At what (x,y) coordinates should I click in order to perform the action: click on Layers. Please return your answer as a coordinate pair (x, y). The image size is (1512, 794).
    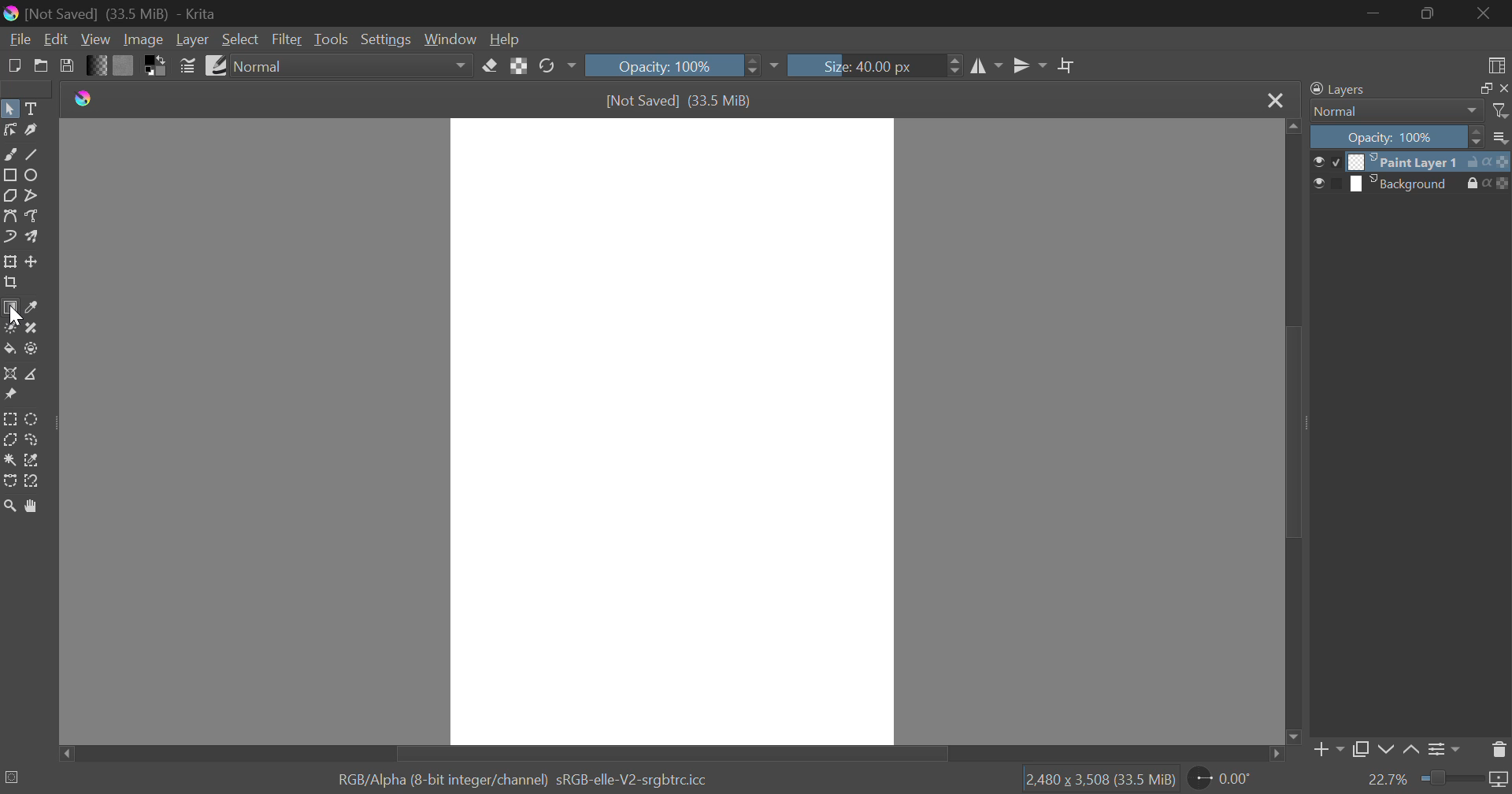
    Looking at the image, I should click on (1338, 90).